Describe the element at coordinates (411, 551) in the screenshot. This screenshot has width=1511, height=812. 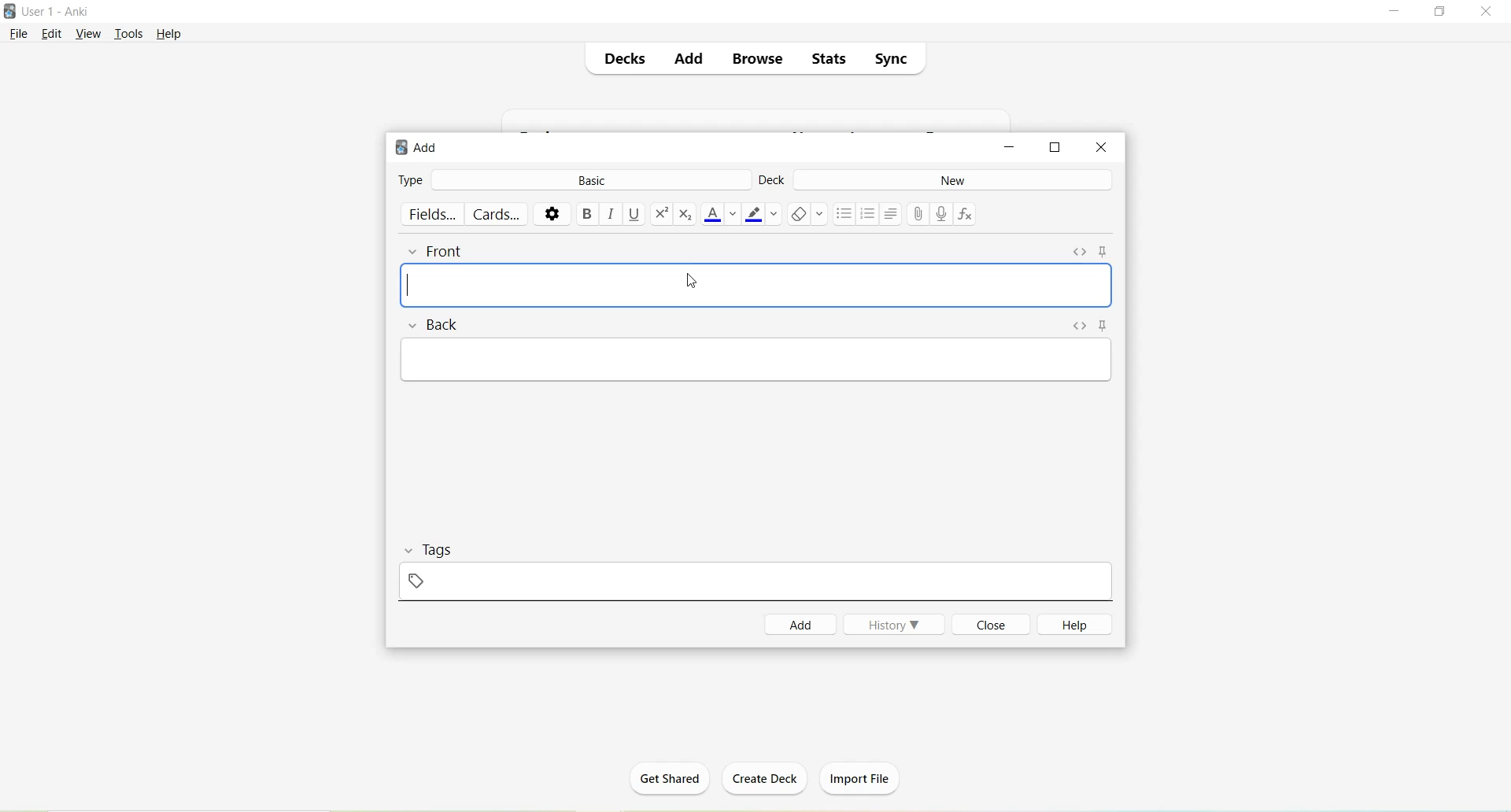
I see `Collapse` at that location.